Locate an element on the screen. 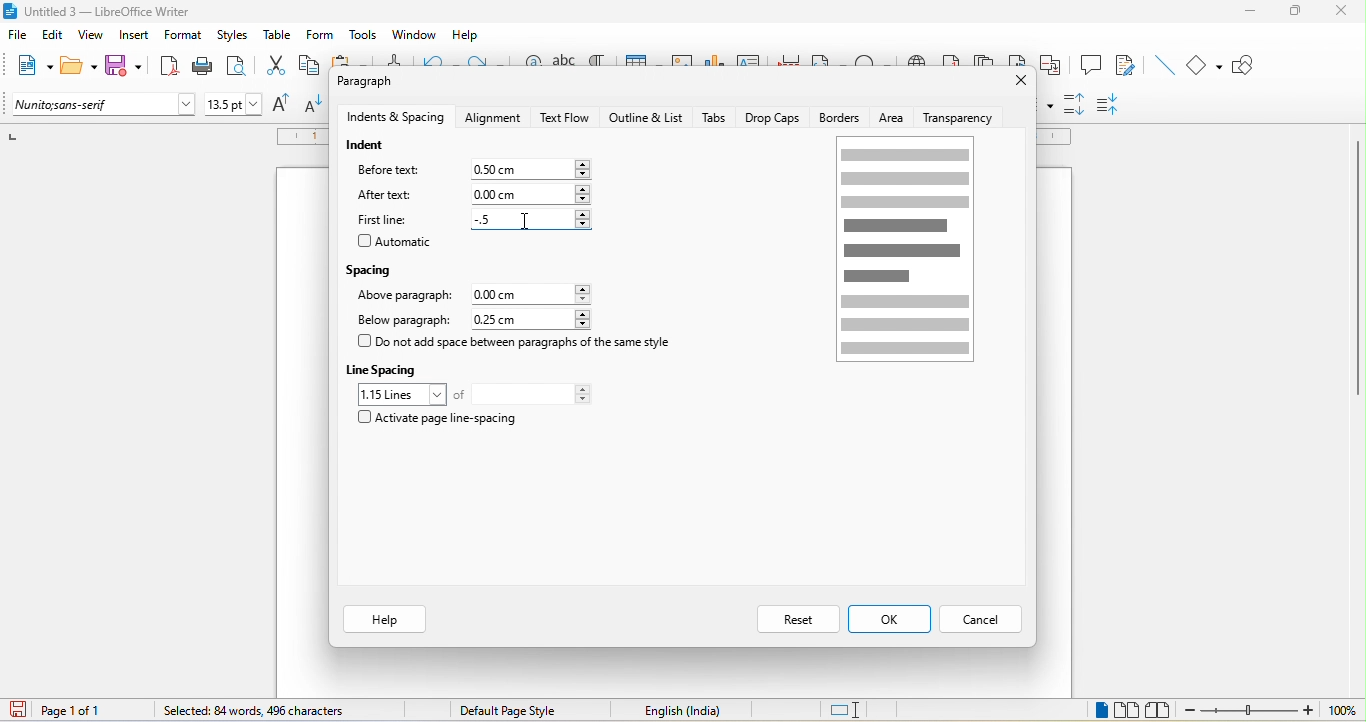 This screenshot has height=722, width=1366. checkbox is located at coordinates (364, 240).